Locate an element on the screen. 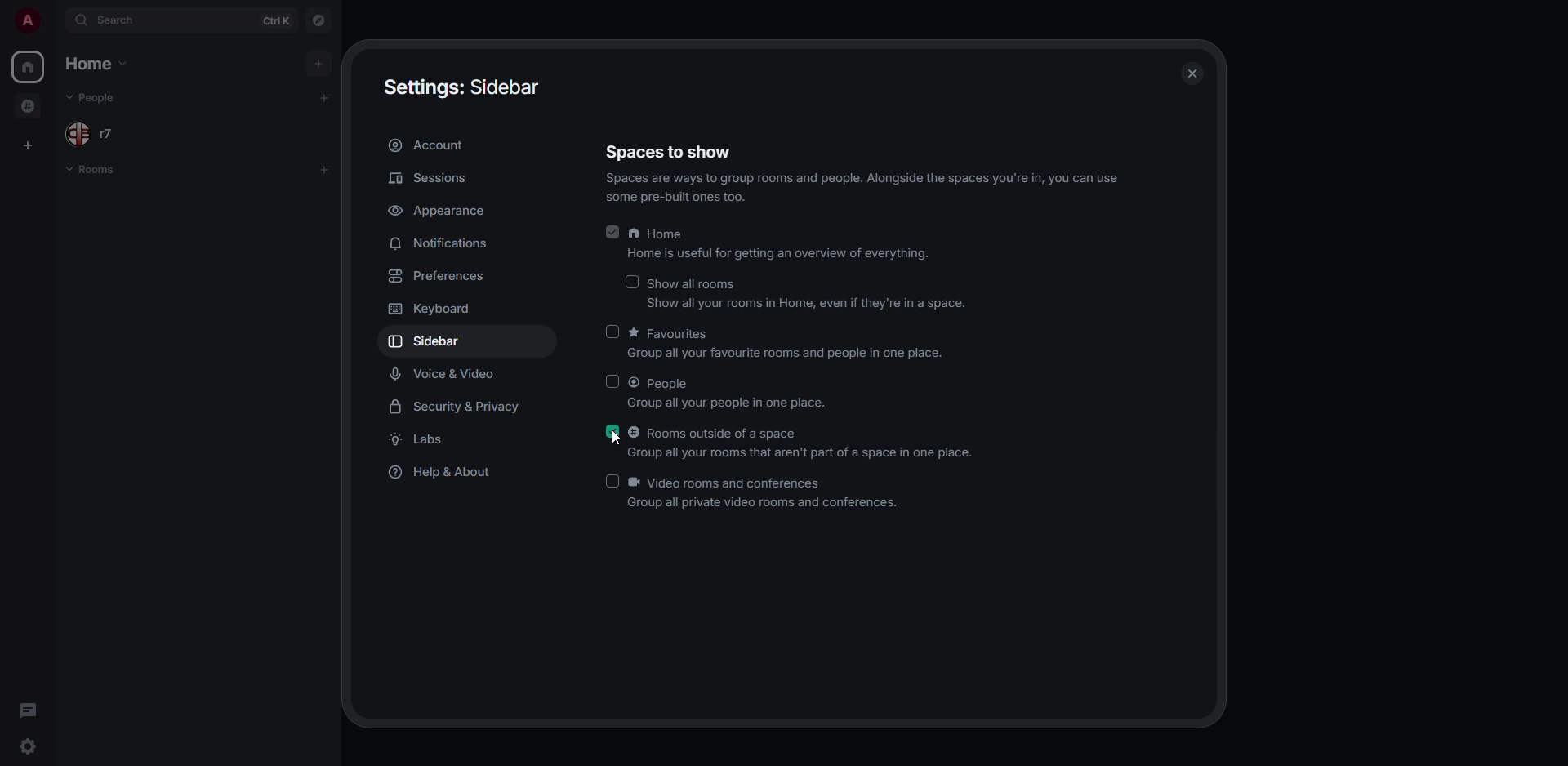 The image size is (1568, 766). enabled is located at coordinates (613, 232).